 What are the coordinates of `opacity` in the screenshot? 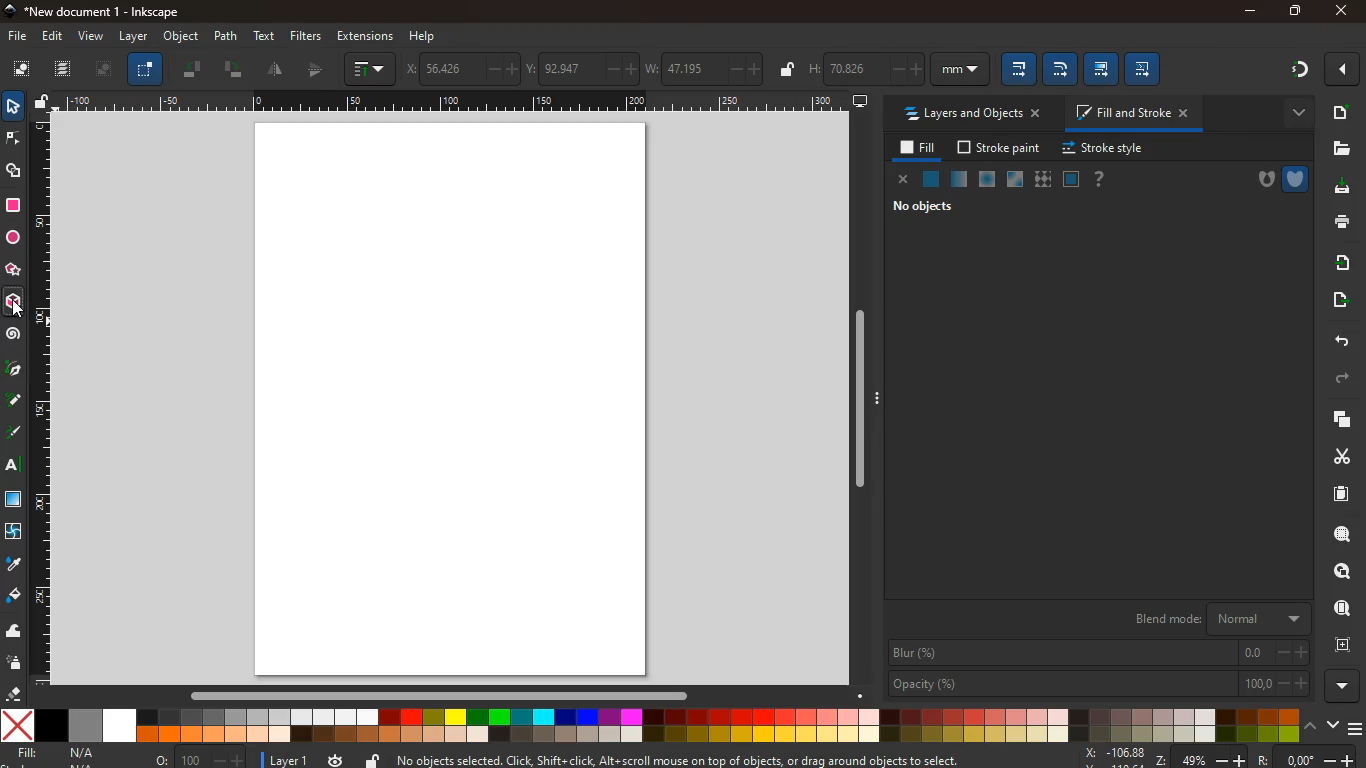 It's located at (1097, 685).